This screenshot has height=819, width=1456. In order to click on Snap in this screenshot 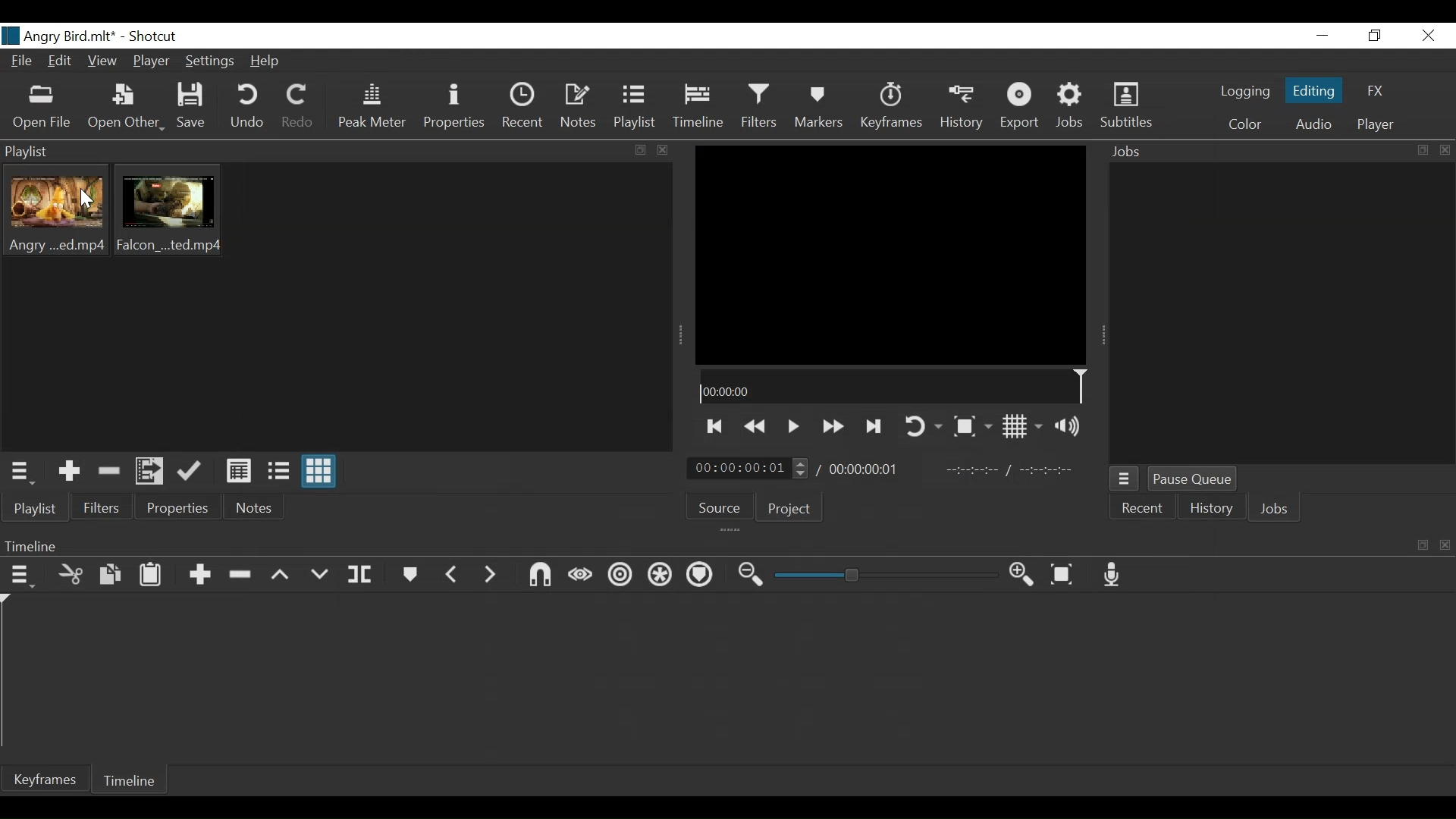, I will do `click(538, 576)`.